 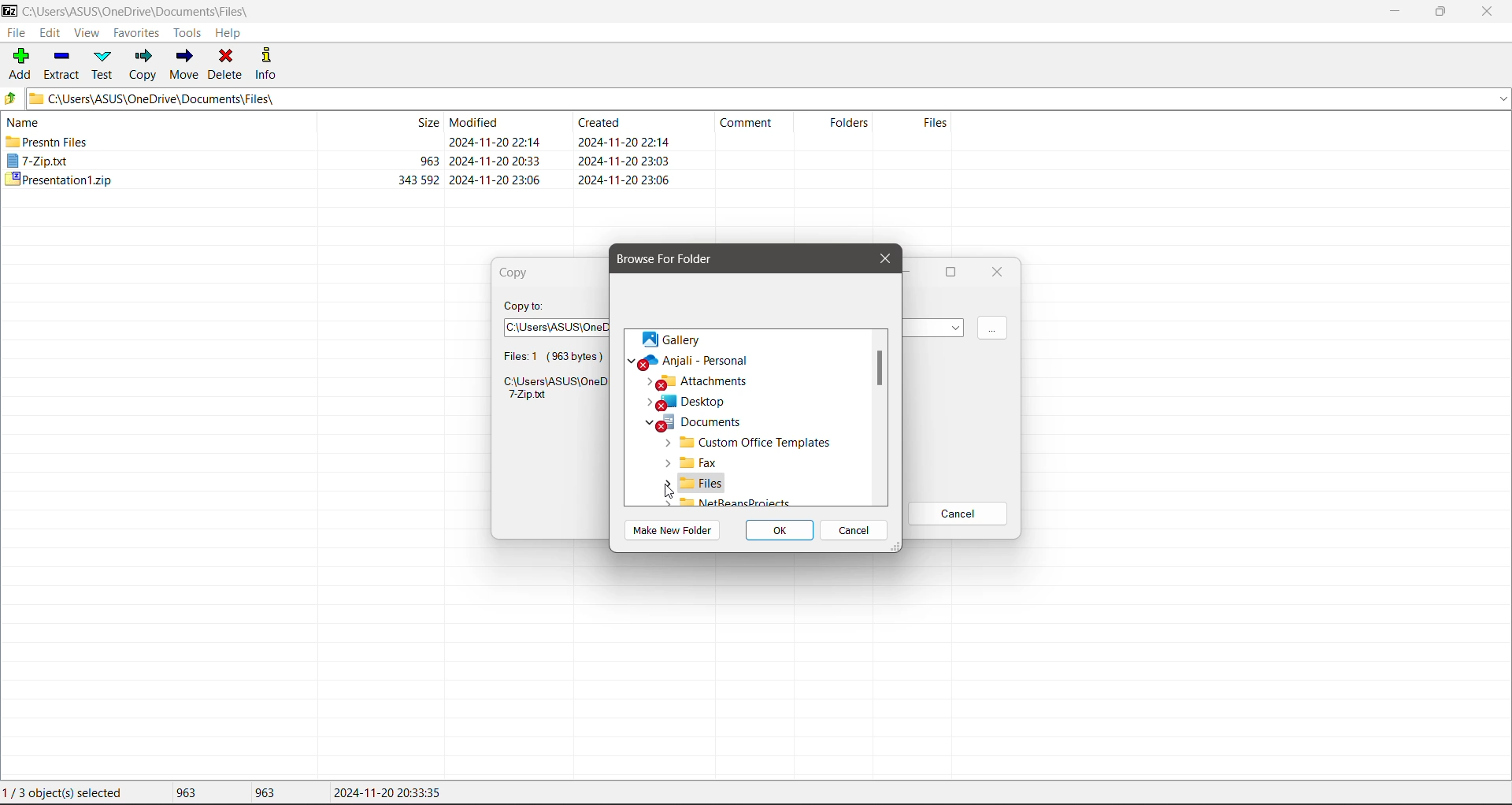 I want to click on Folders, so click(x=843, y=128).